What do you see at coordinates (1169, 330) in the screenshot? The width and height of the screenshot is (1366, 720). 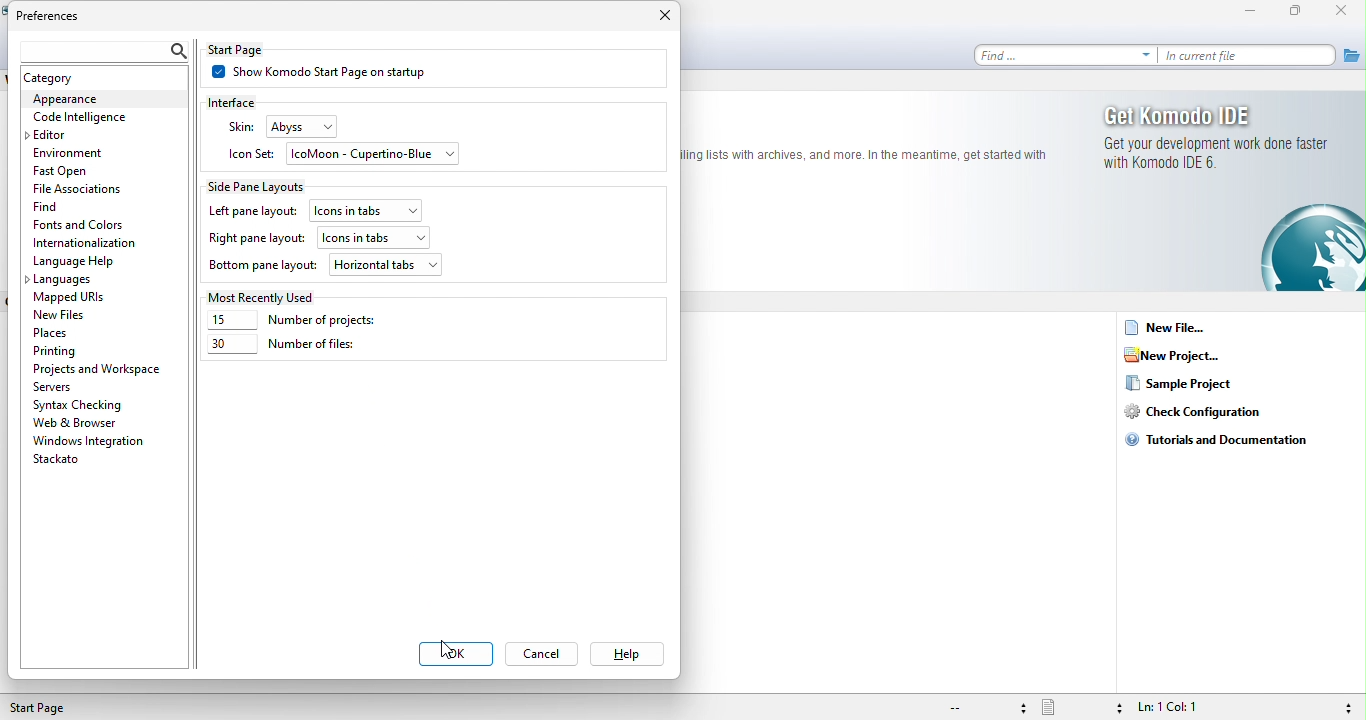 I see `new file` at bounding box center [1169, 330].